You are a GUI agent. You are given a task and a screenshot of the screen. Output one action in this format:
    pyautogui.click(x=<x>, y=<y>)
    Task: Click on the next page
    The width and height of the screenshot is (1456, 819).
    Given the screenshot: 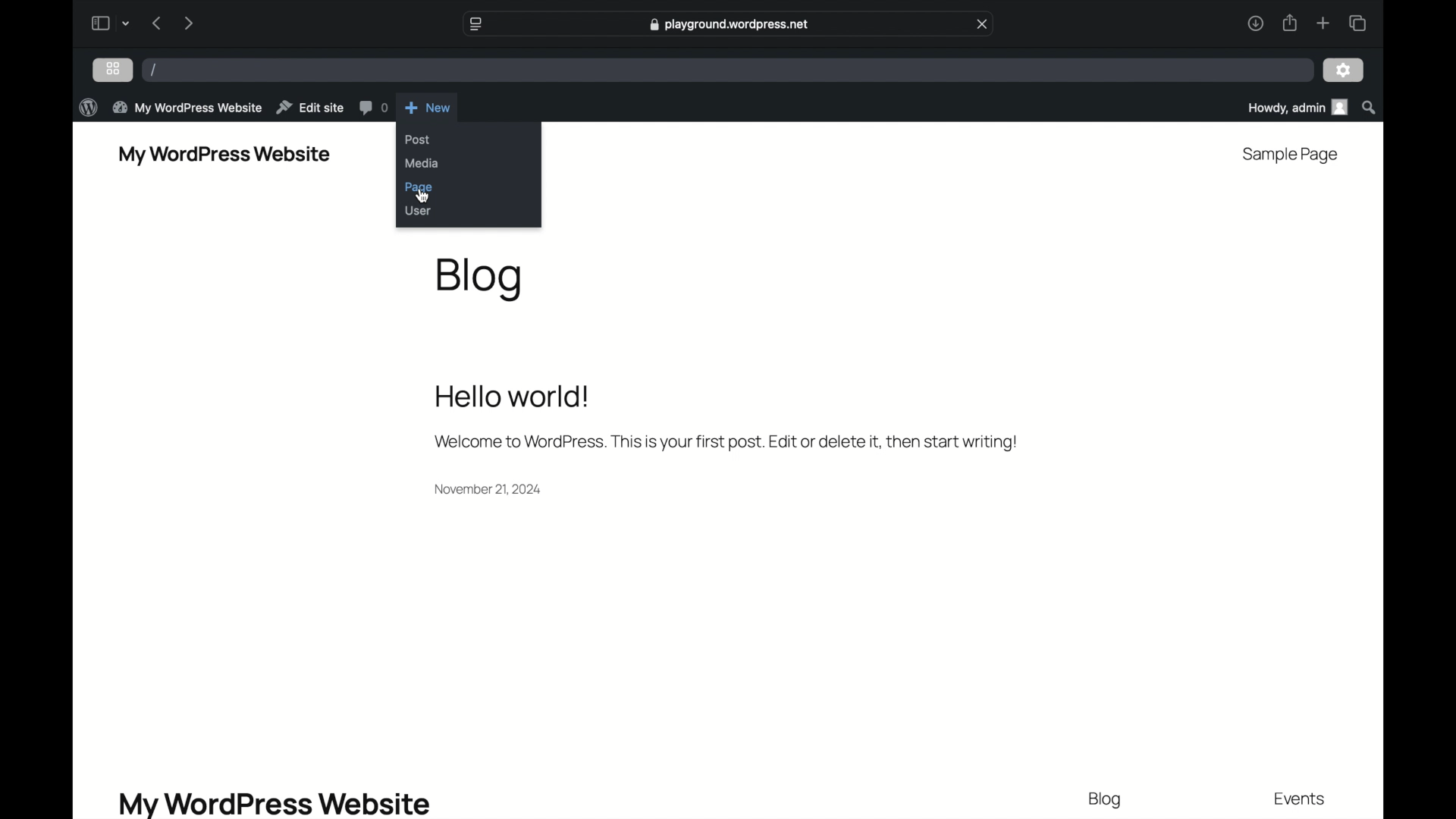 What is the action you would take?
    pyautogui.click(x=187, y=24)
    